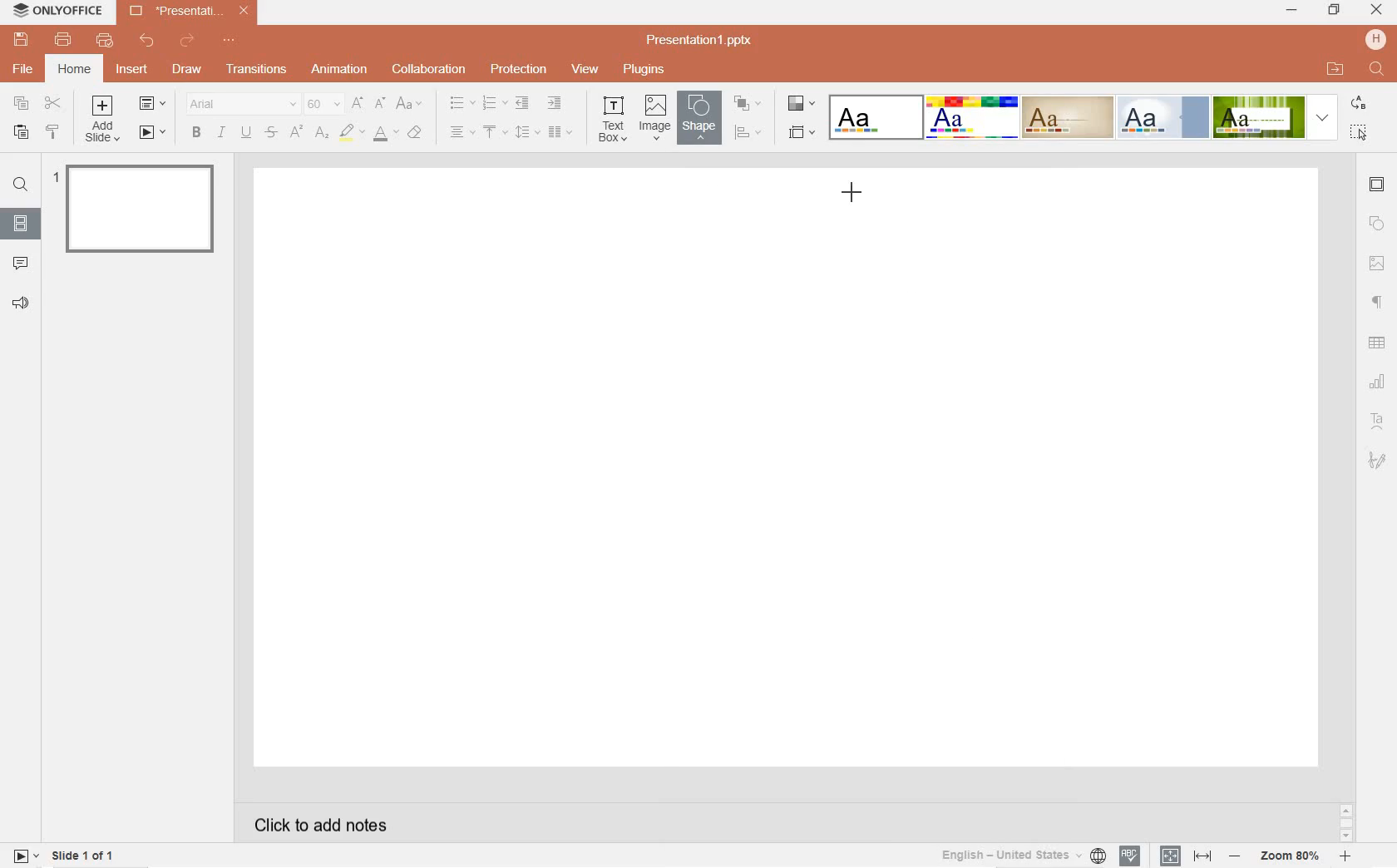  Describe the element at coordinates (386, 136) in the screenshot. I see `font color` at that location.